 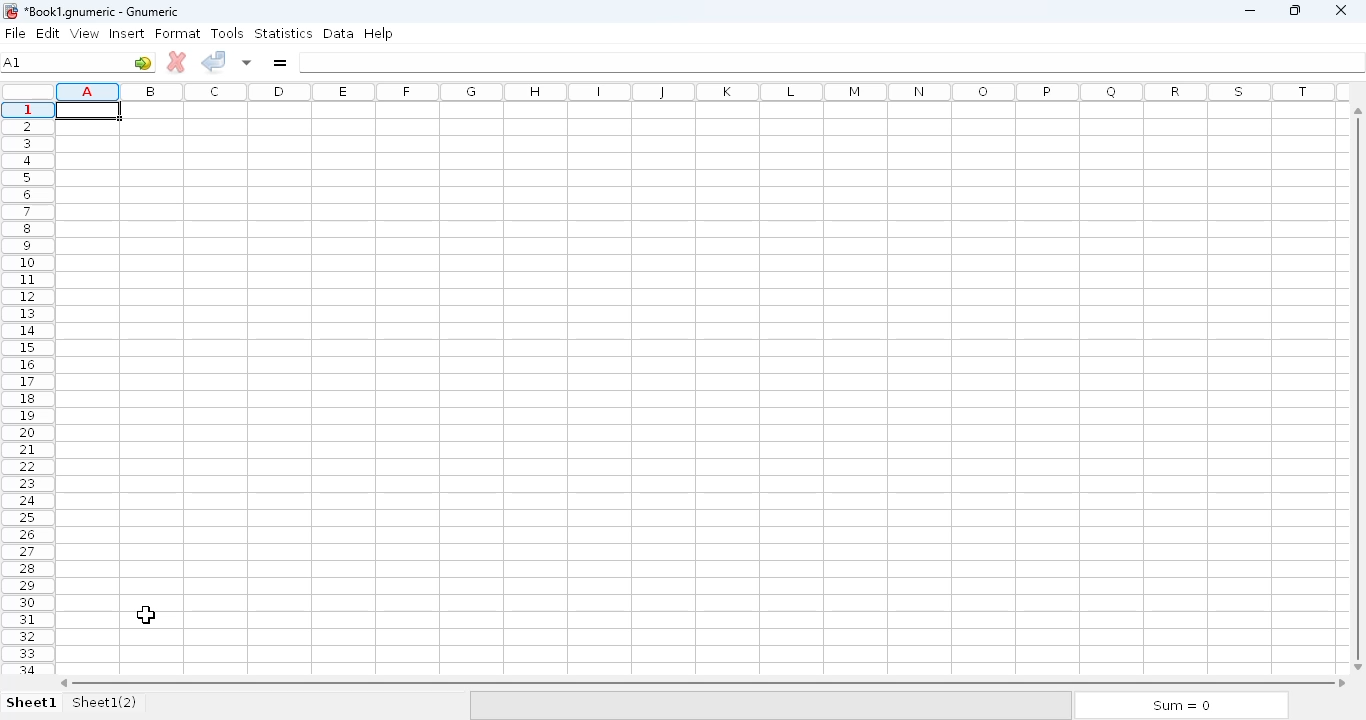 I want to click on formula bar, so click(x=831, y=62).